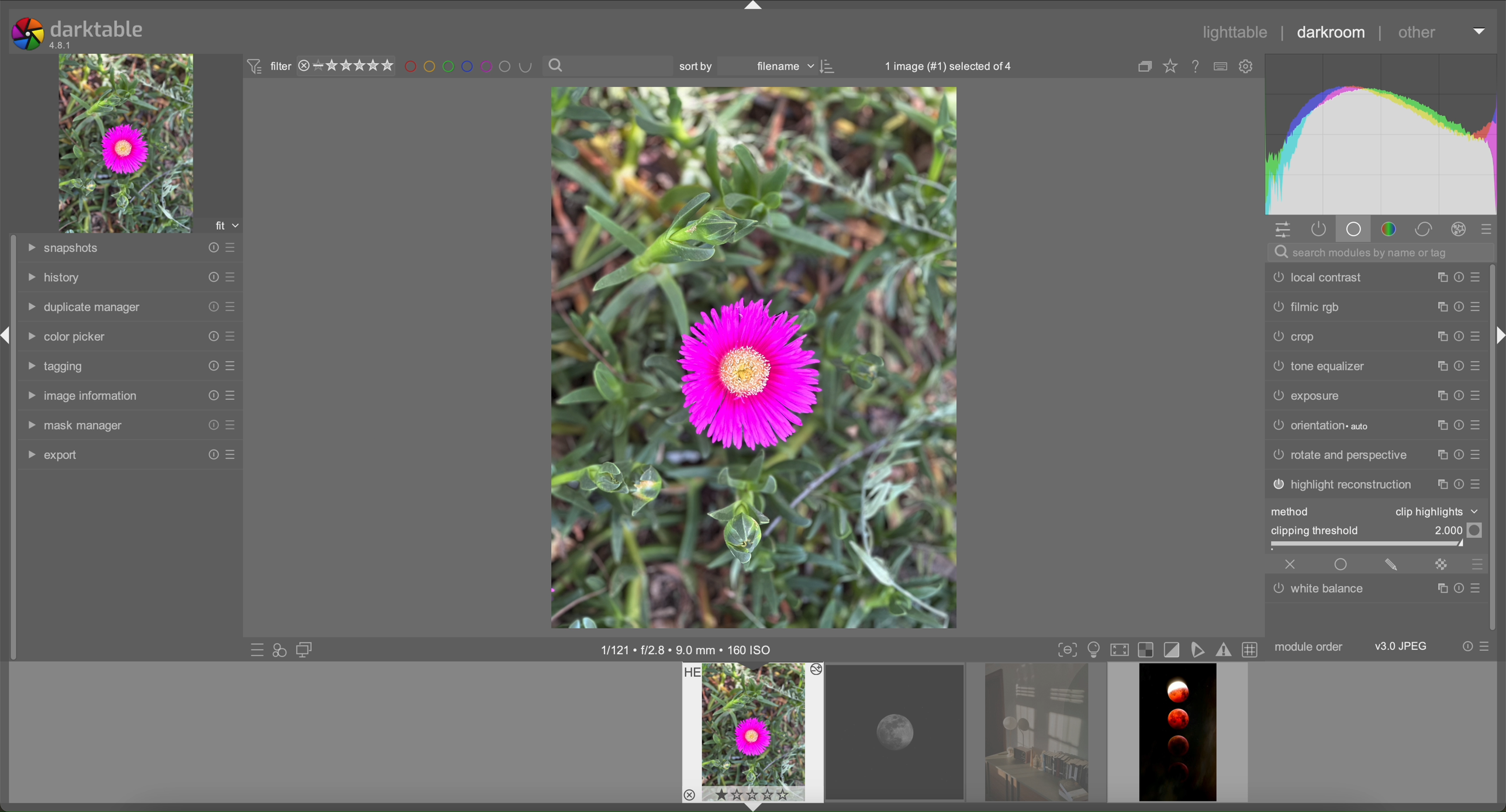  I want to click on clipping threshold, so click(1315, 530).